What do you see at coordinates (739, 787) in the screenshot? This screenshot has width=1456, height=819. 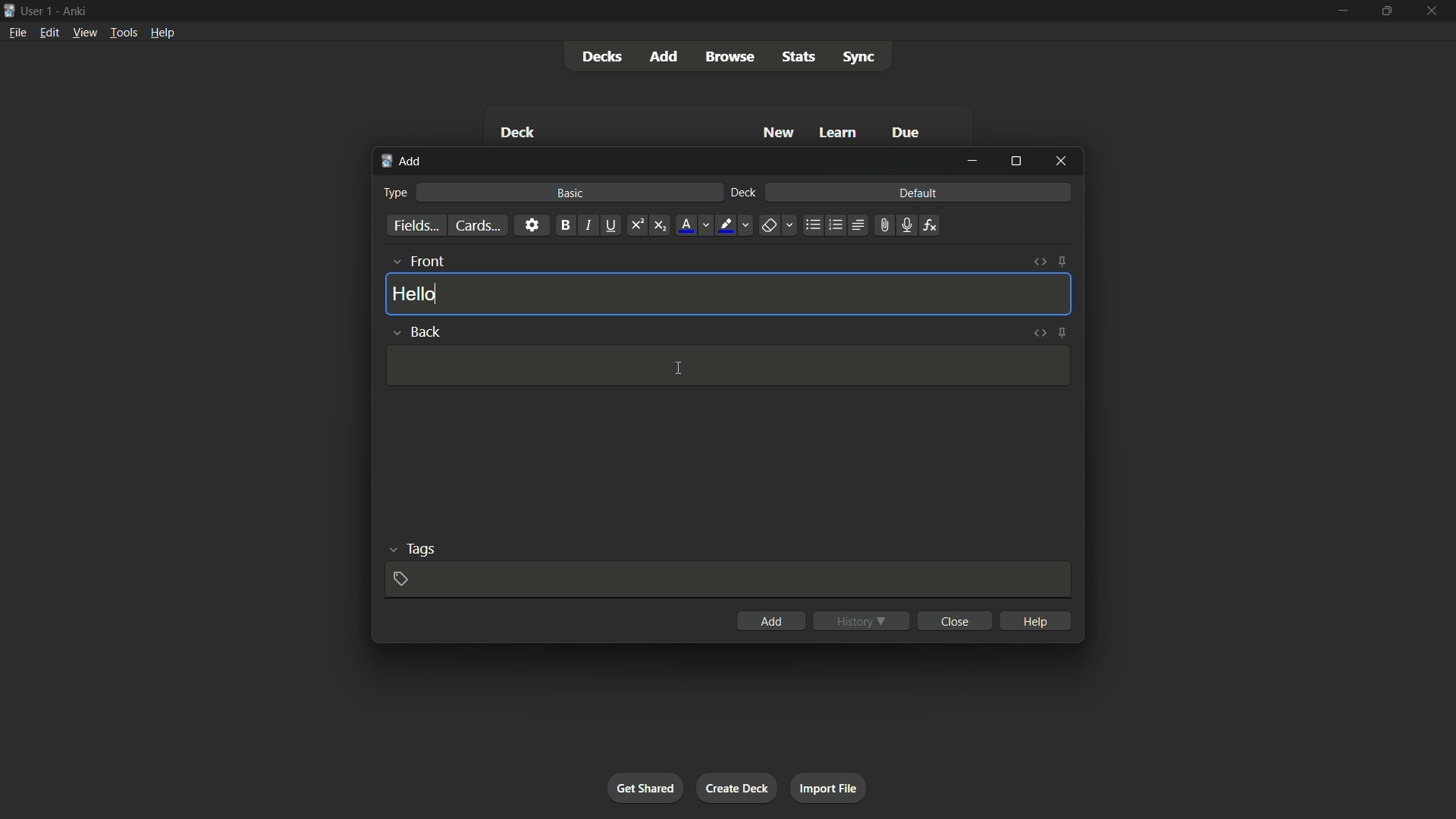 I see `create deck` at bounding box center [739, 787].